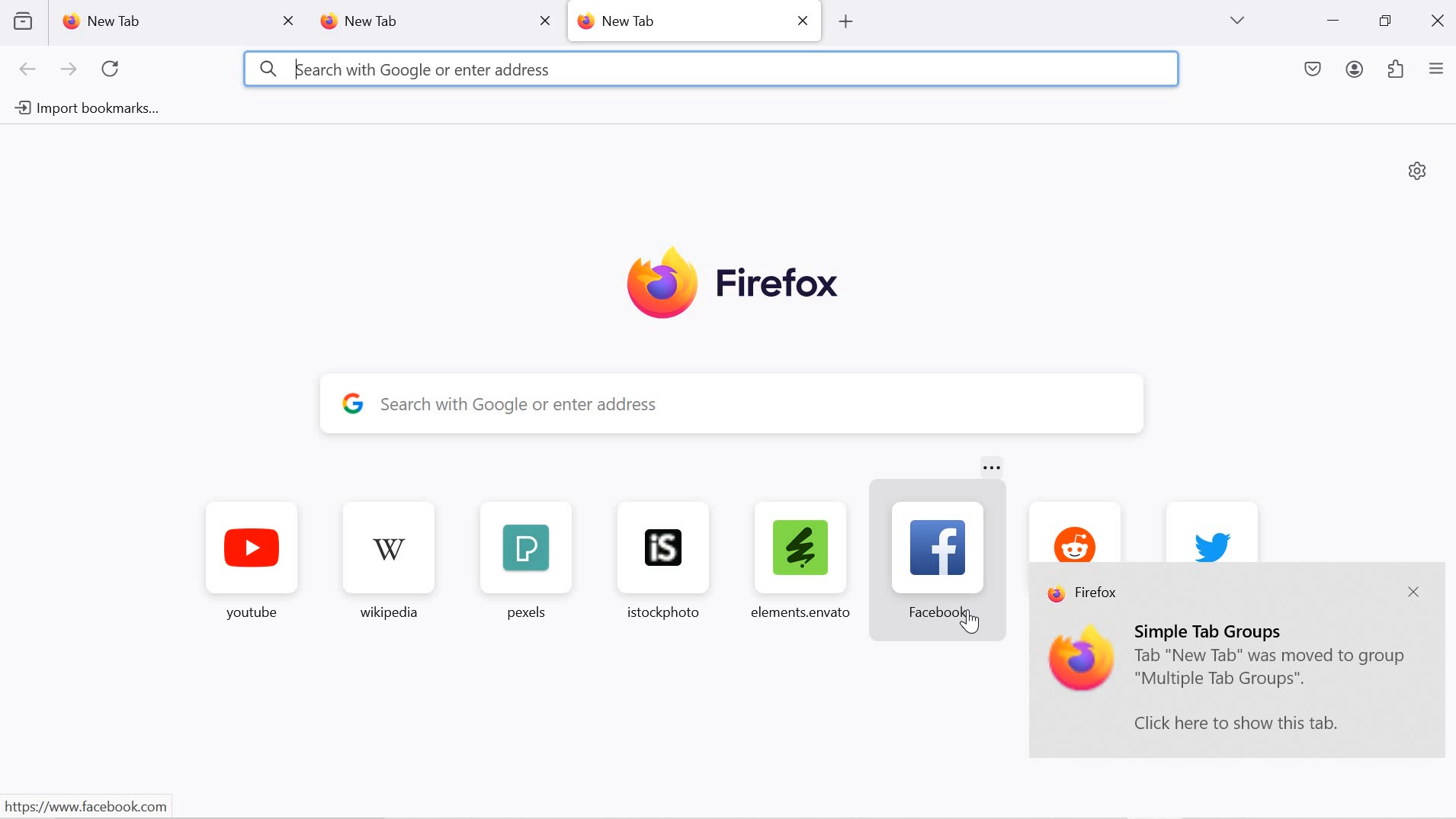 This screenshot has height=819, width=1456. What do you see at coordinates (1413, 593) in the screenshot?
I see `close` at bounding box center [1413, 593].